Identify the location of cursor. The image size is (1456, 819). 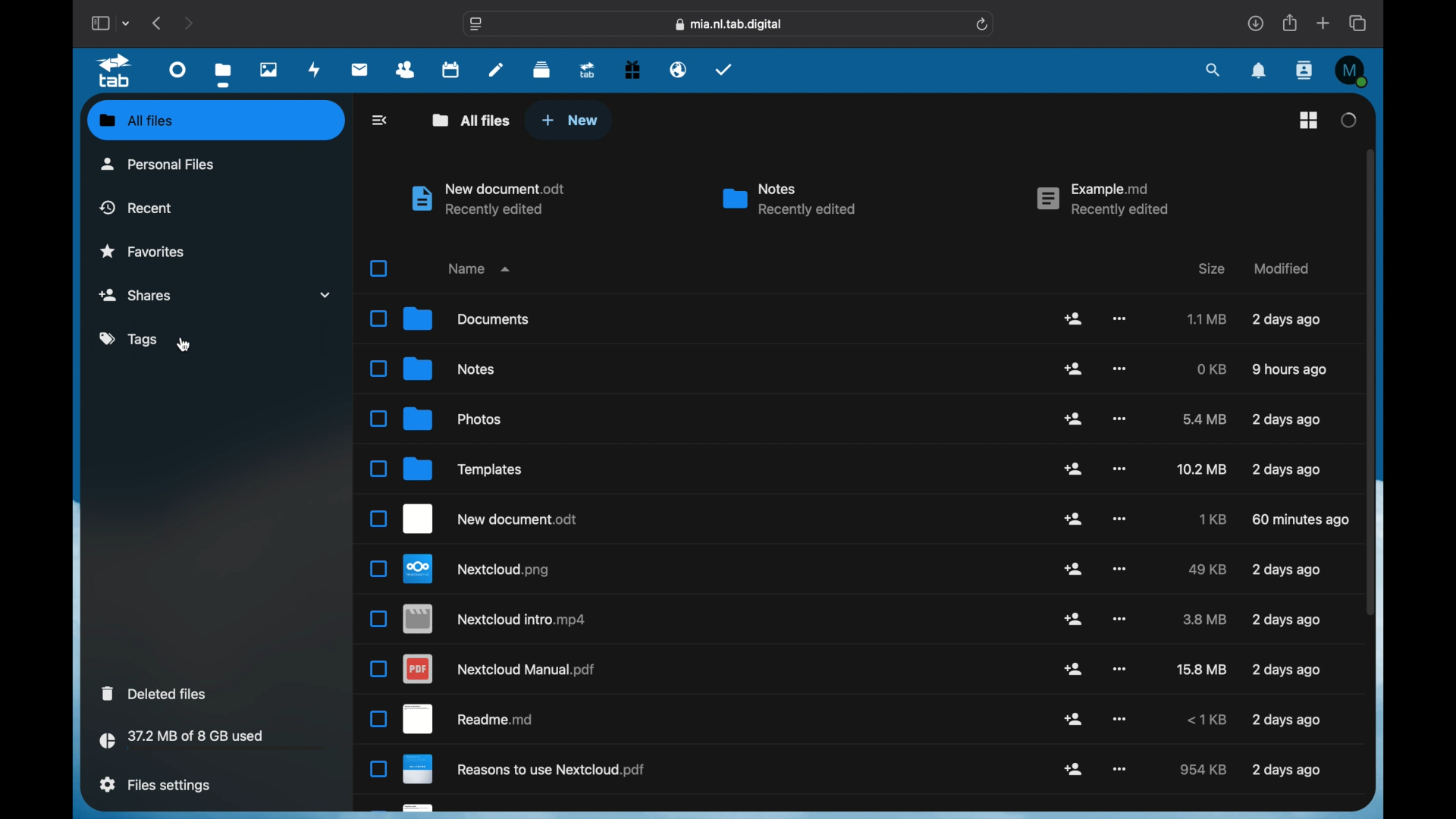
(184, 345).